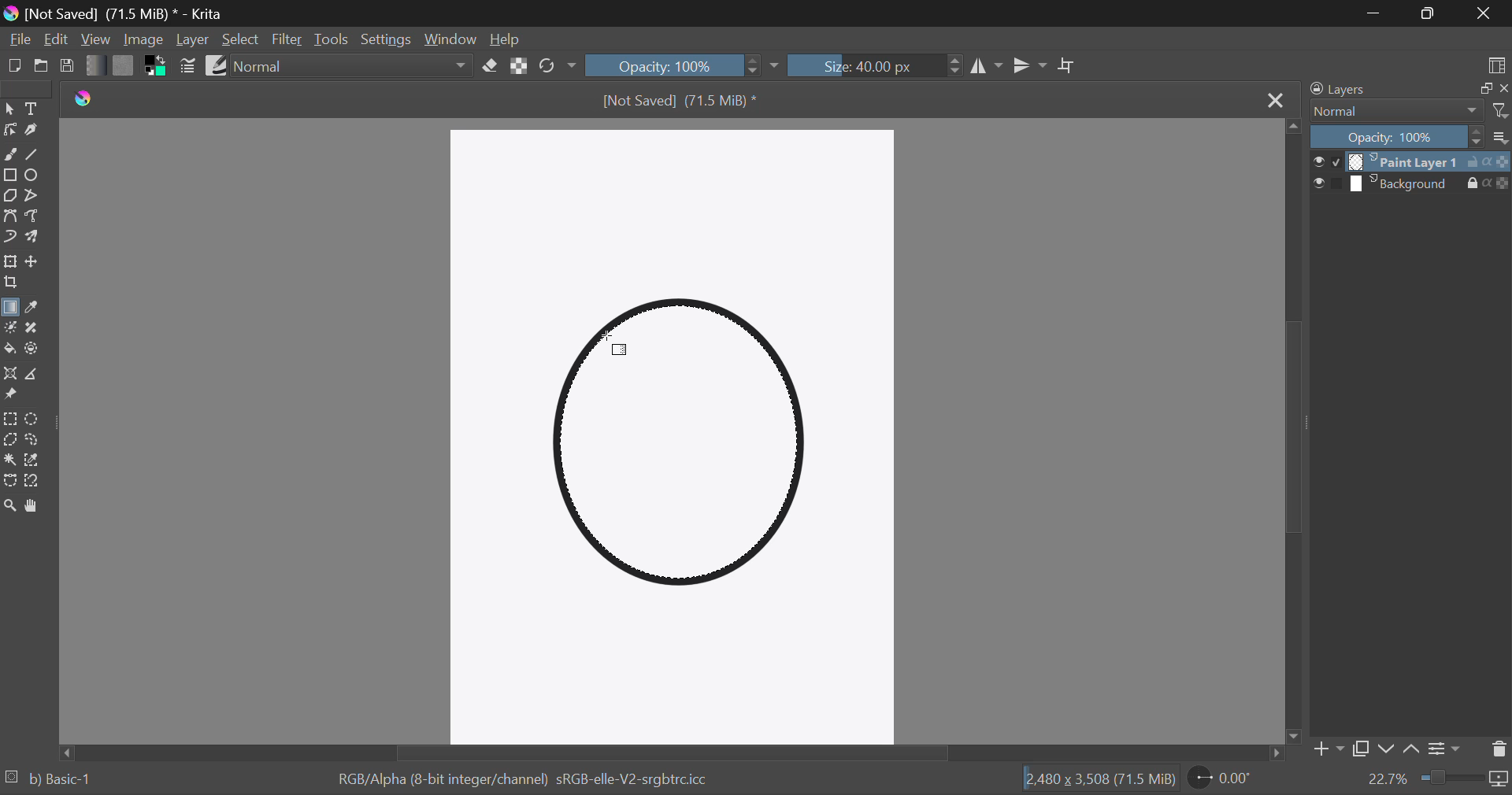  Describe the element at coordinates (10, 396) in the screenshot. I see `Reference Images` at that location.